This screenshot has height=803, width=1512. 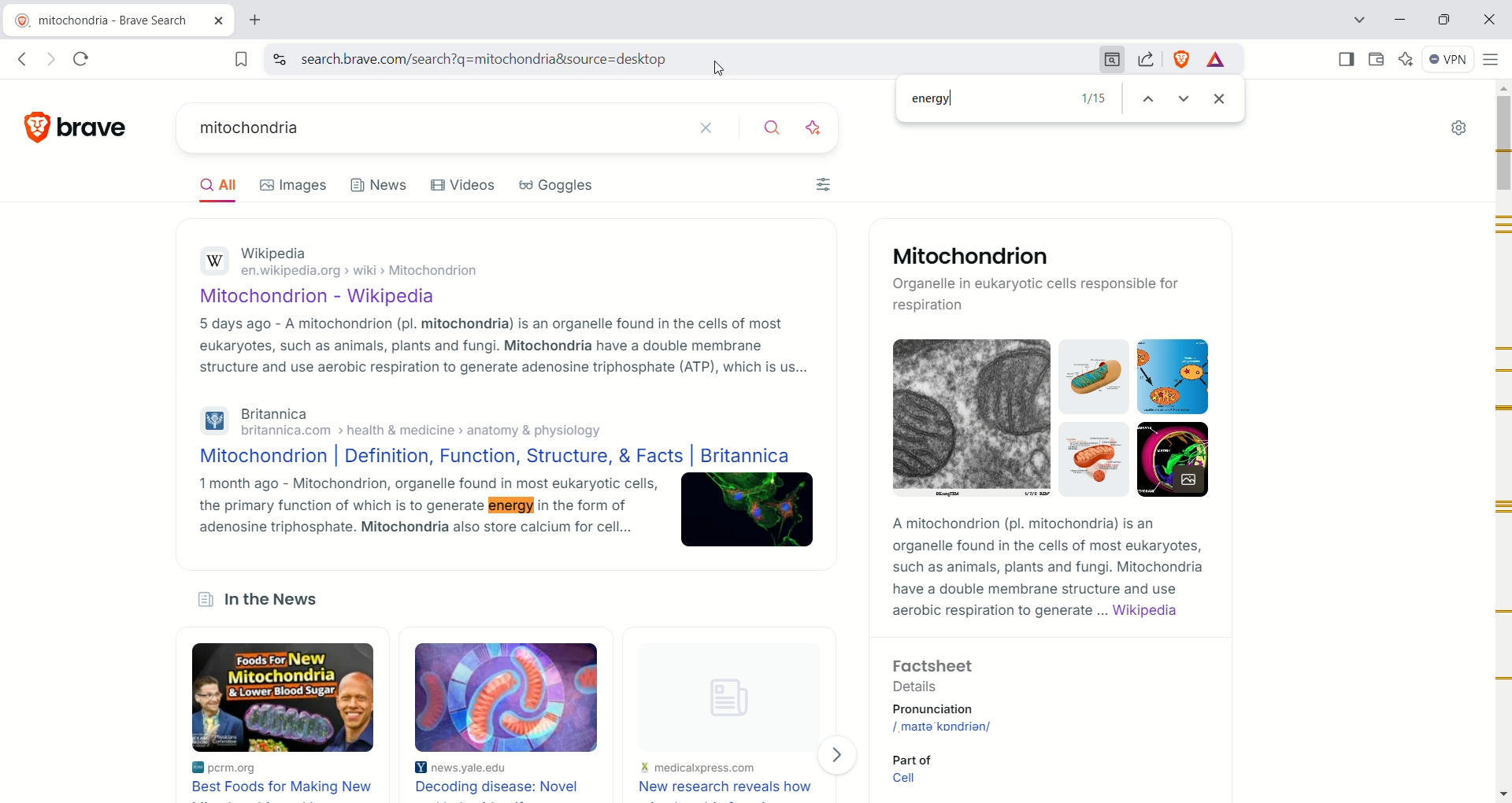 What do you see at coordinates (284, 691) in the screenshot?
I see `Foods For, NEW Mitochondria & lower blood sugar` at bounding box center [284, 691].